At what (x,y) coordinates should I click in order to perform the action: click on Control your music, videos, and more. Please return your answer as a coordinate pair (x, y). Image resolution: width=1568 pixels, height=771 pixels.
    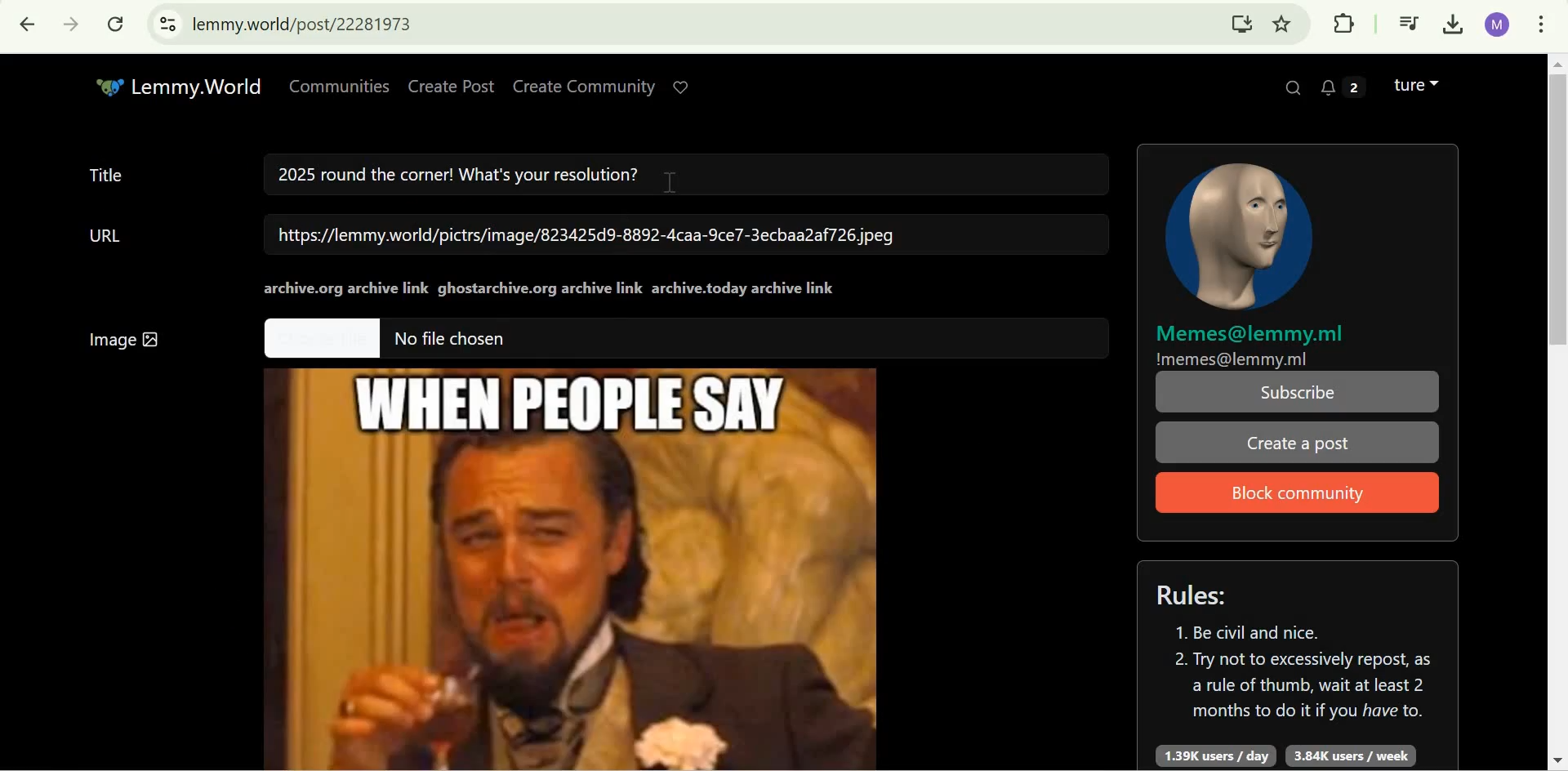
    Looking at the image, I should click on (1410, 25).